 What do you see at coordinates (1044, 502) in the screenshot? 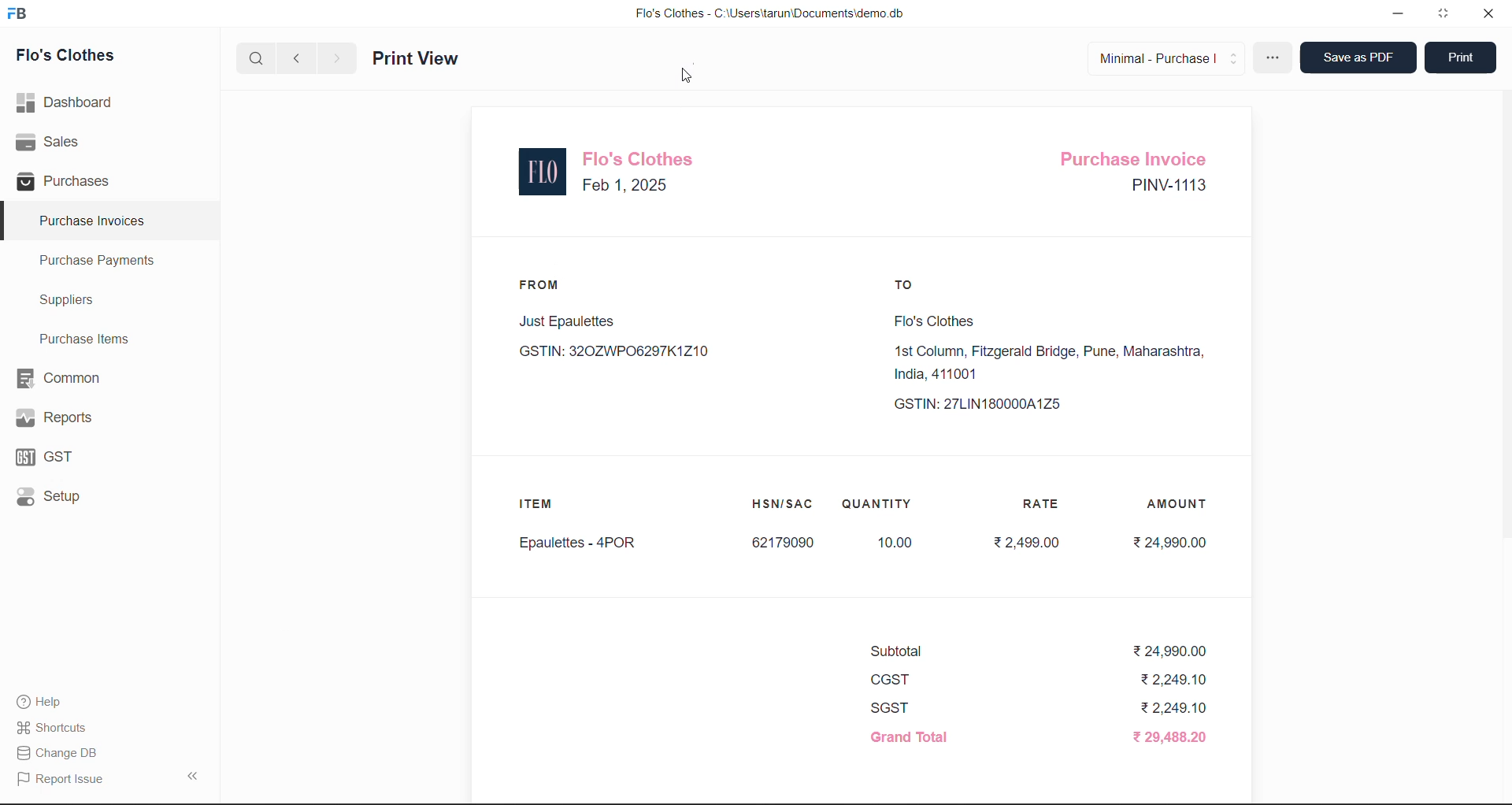
I see `RATE` at bounding box center [1044, 502].